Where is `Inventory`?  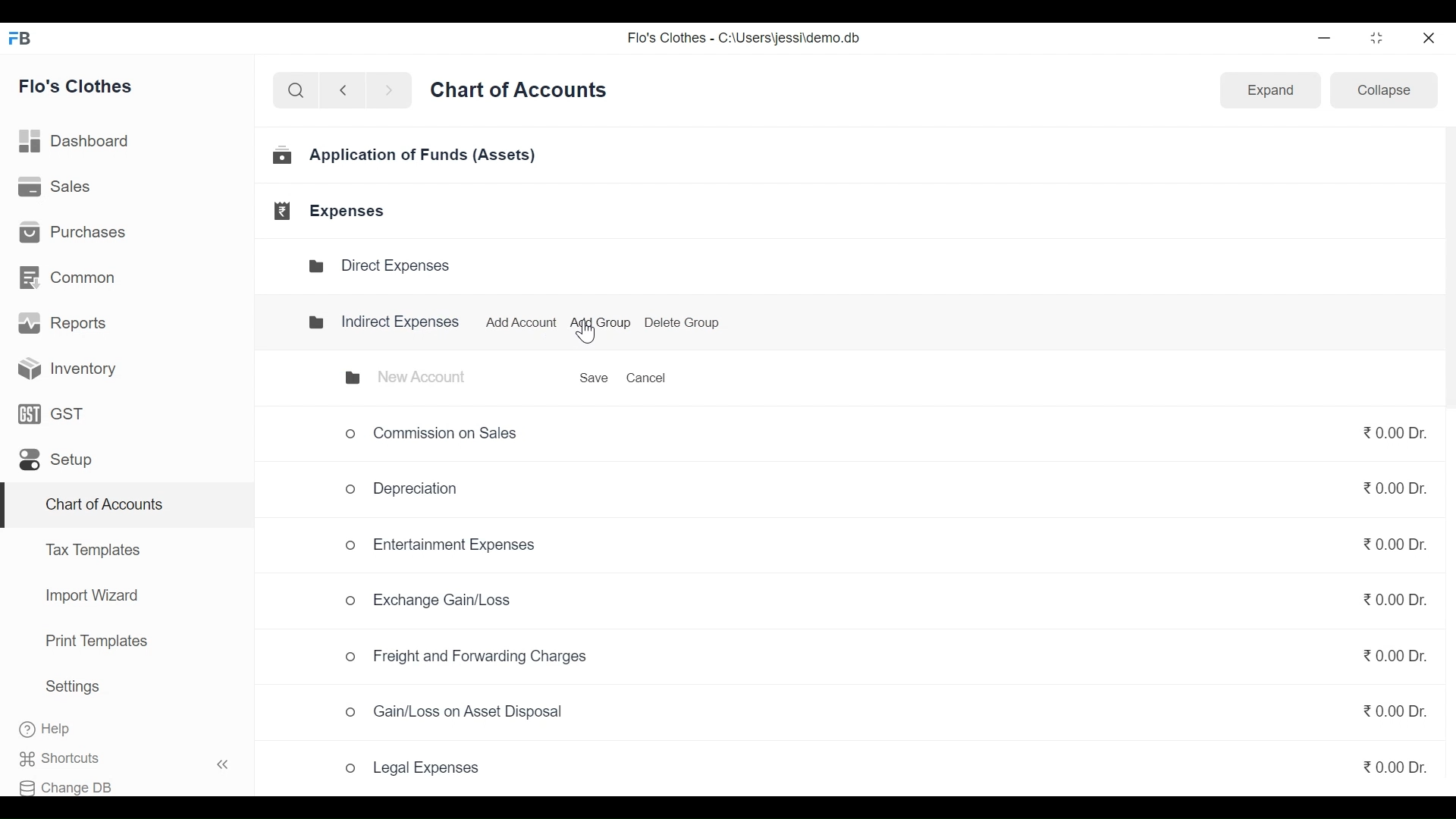 Inventory is located at coordinates (62, 368).